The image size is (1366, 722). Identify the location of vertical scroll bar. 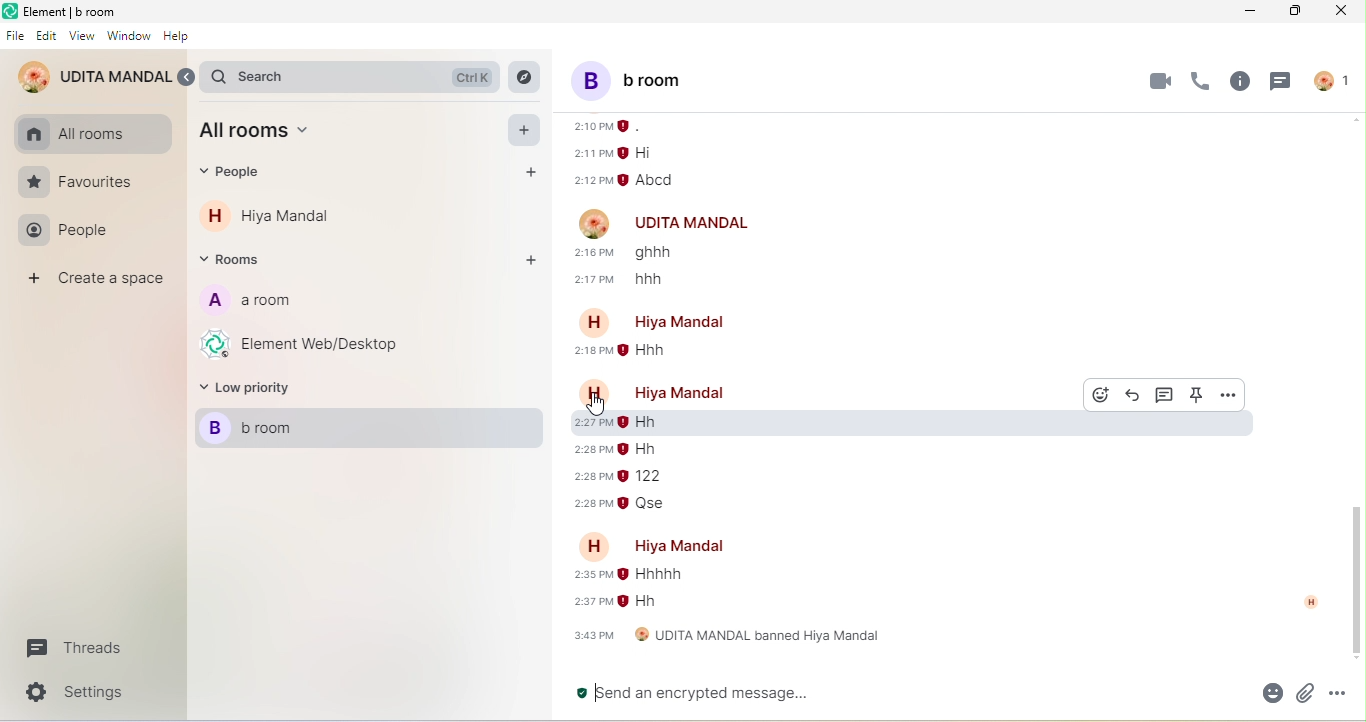
(1357, 577).